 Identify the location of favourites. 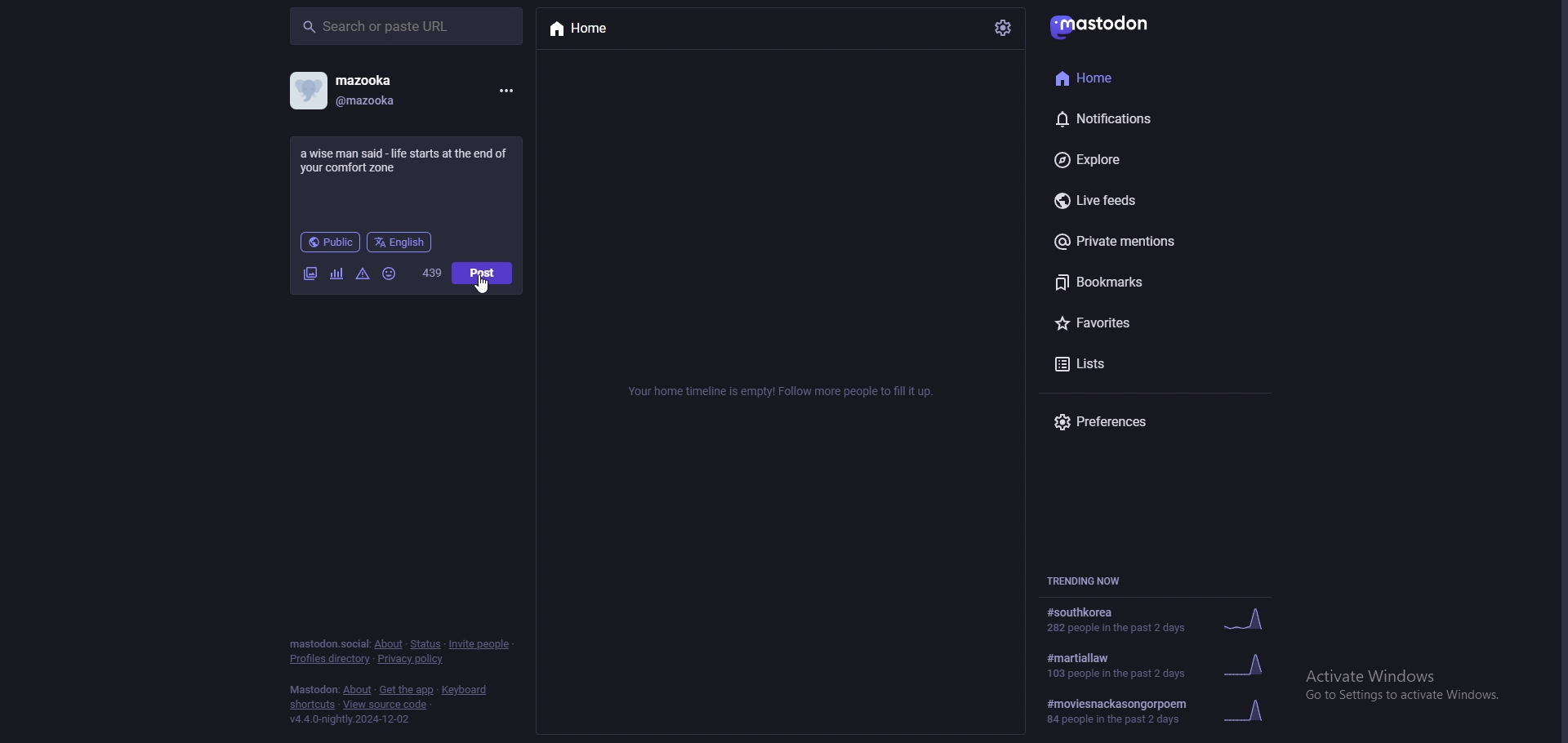
(1142, 323).